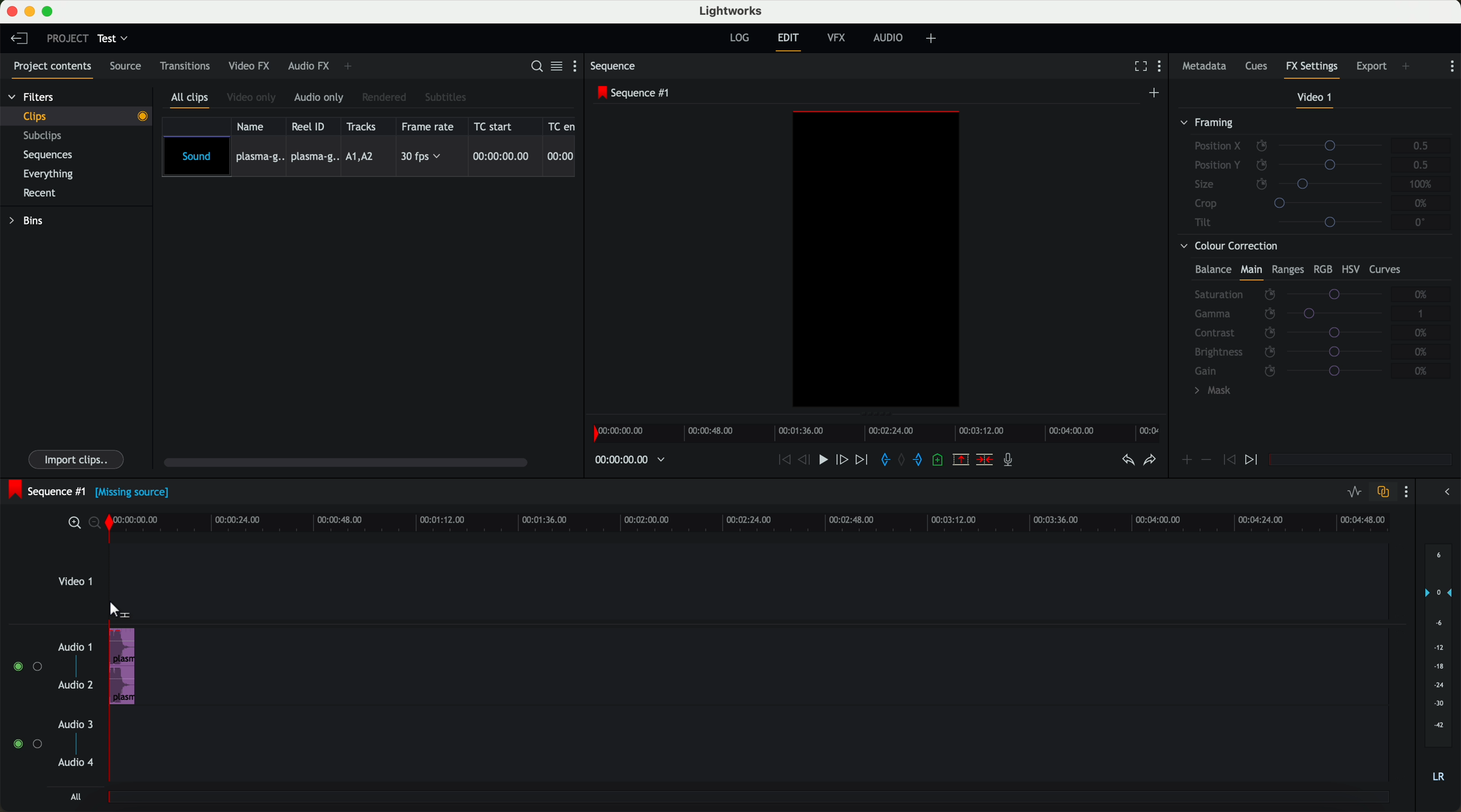 Image resolution: width=1461 pixels, height=812 pixels. What do you see at coordinates (52, 157) in the screenshot?
I see `sequences` at bounding box center [52, 157].